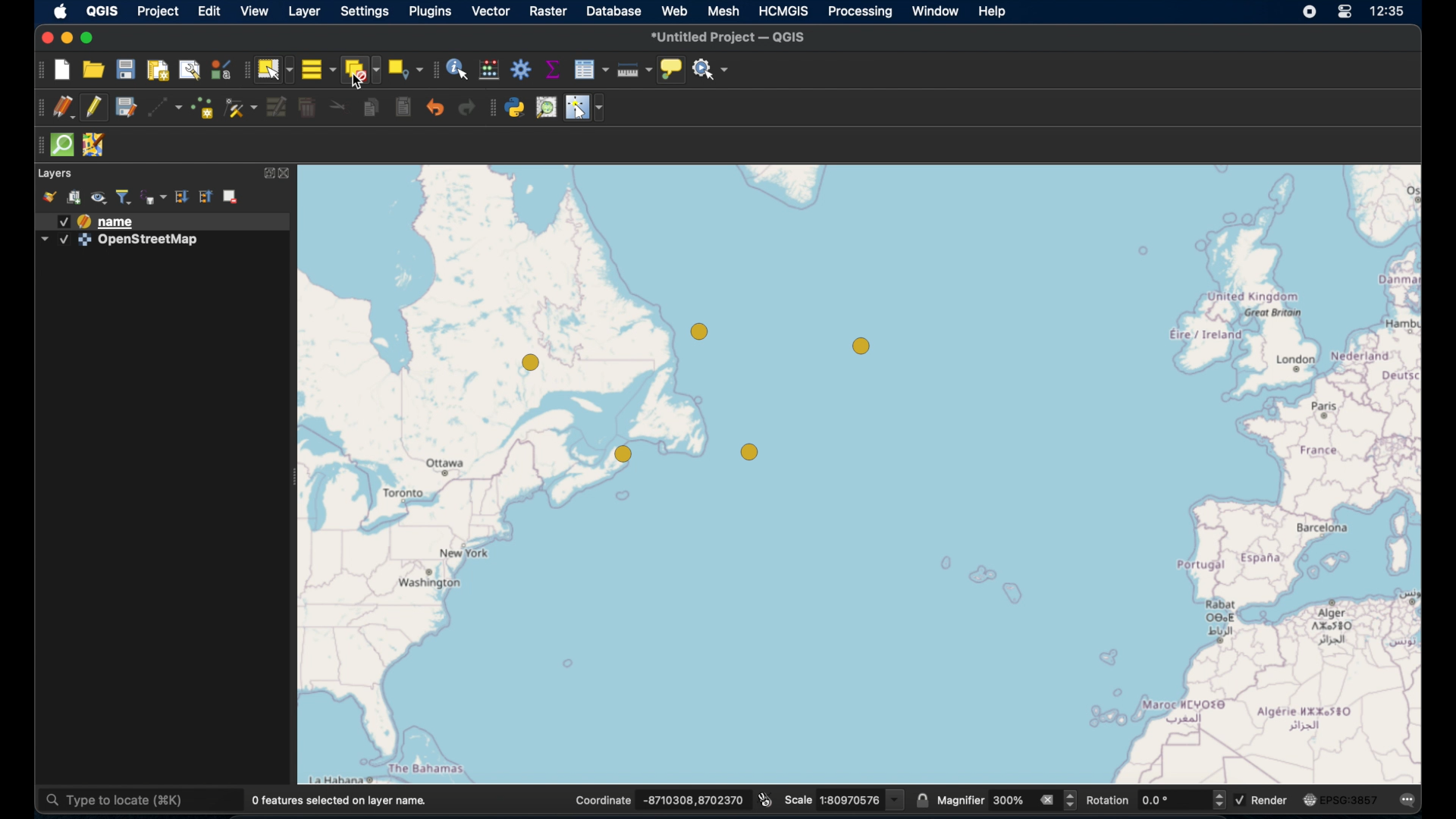  What do you see at coordinates (530, 361) in the screenshot?
I see `unselected point` at bounding box center [530, 361].